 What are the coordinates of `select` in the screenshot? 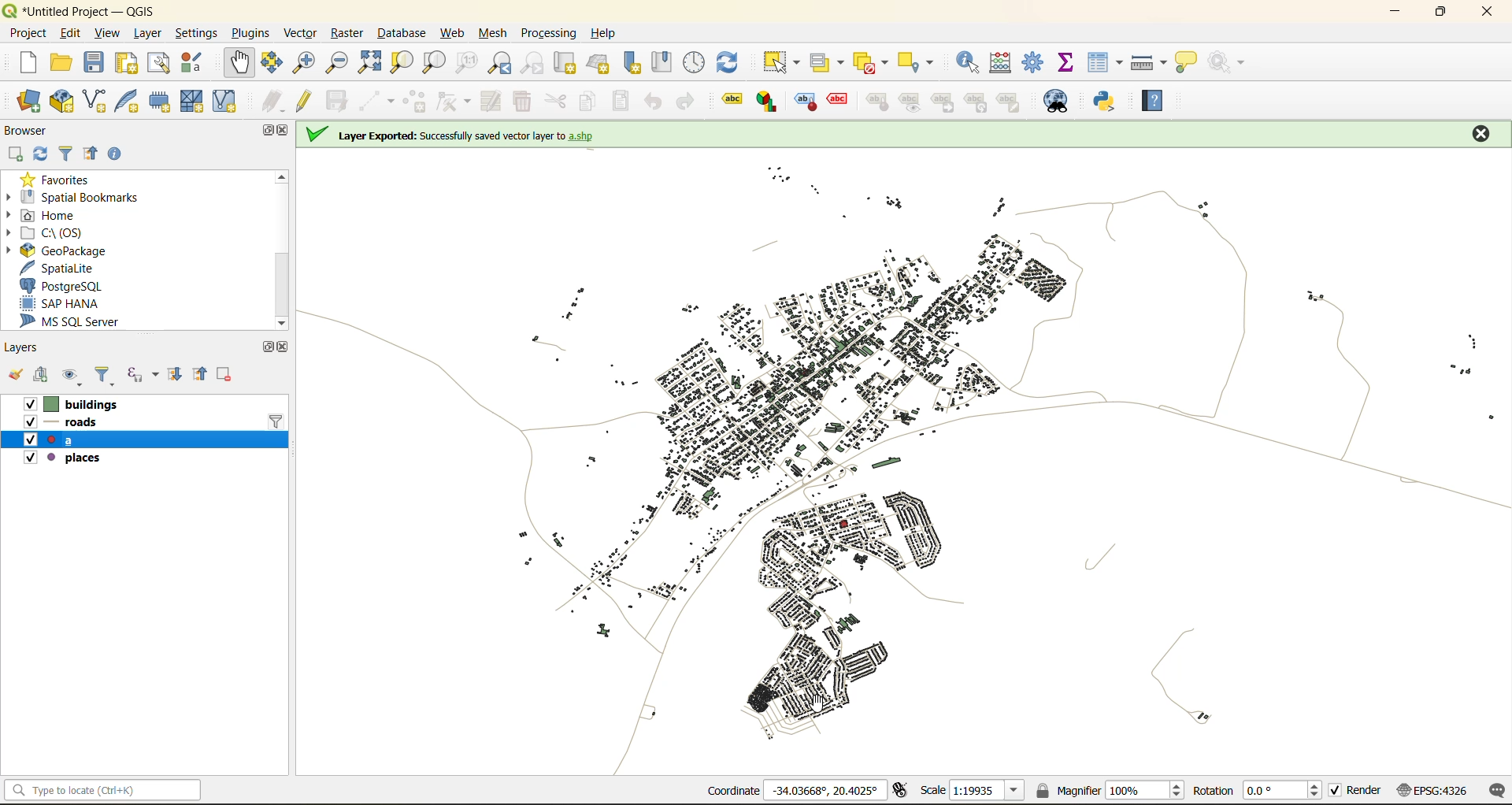 It's located at (784, 62).